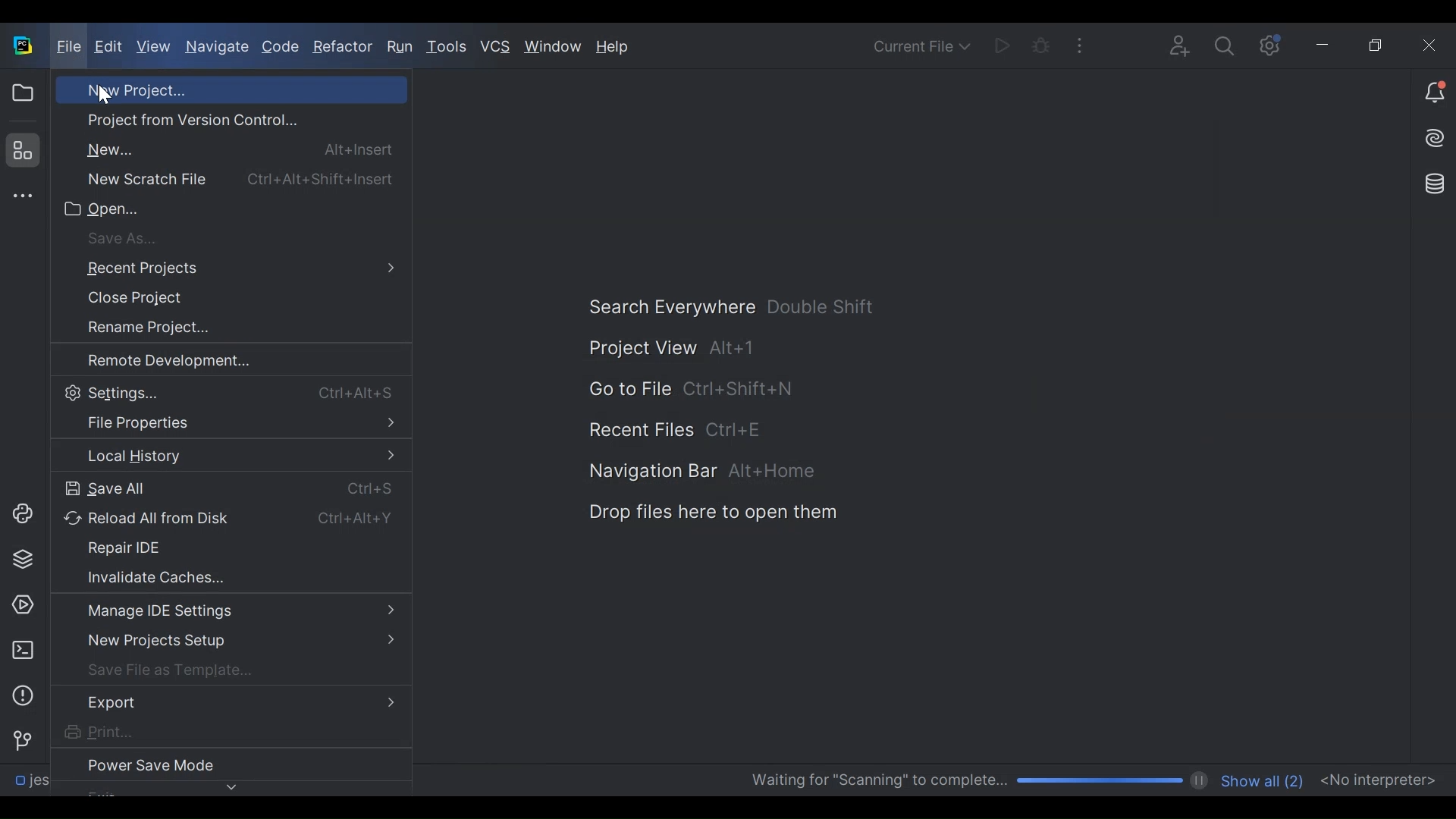  I want to click on Navigation Bar, so click(676, 473).